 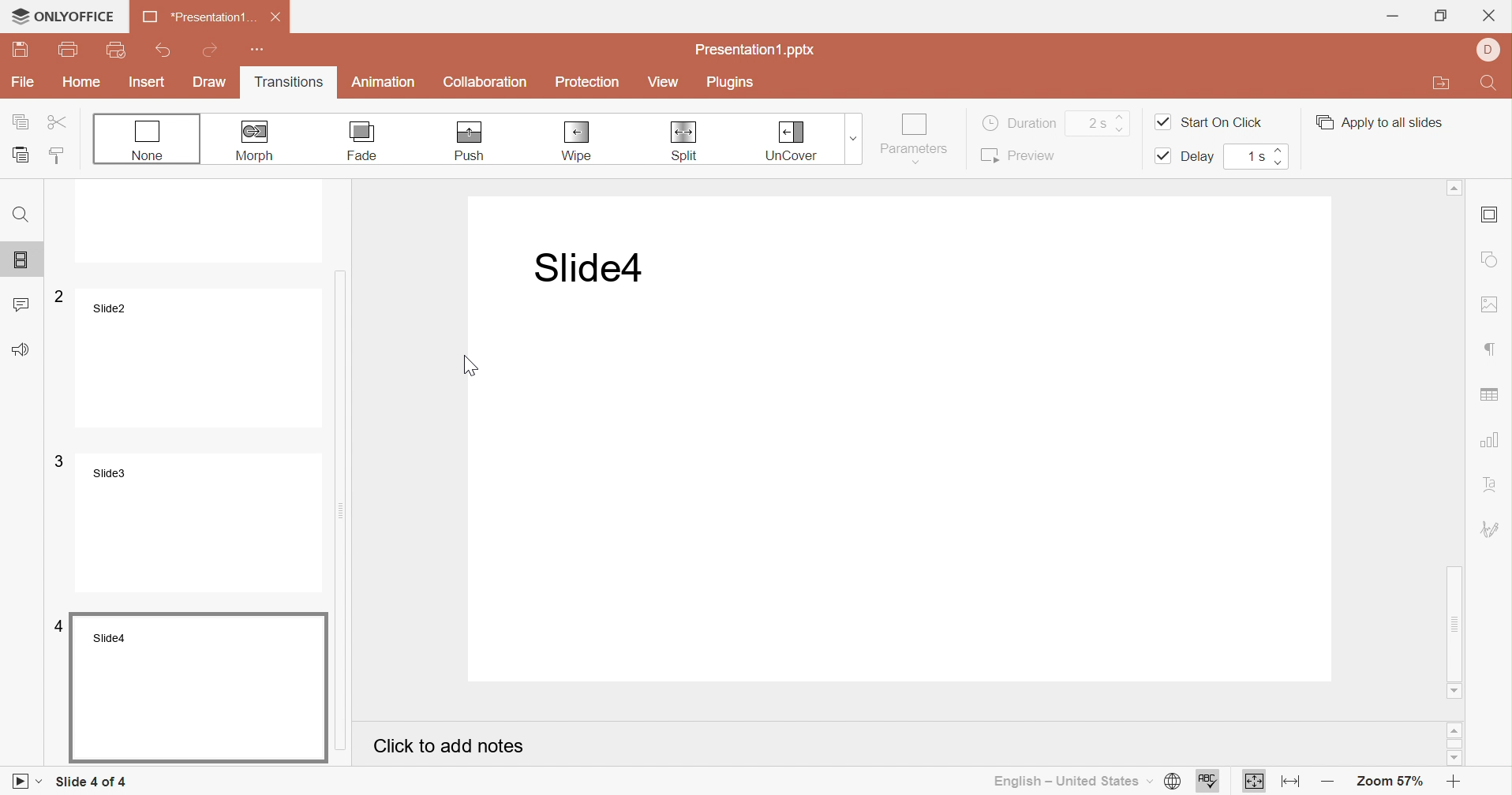 What do you see at coordinates (1496, 350) in the screenshot?
I see `Paragraph settings` at bounding box center [1496, 350].